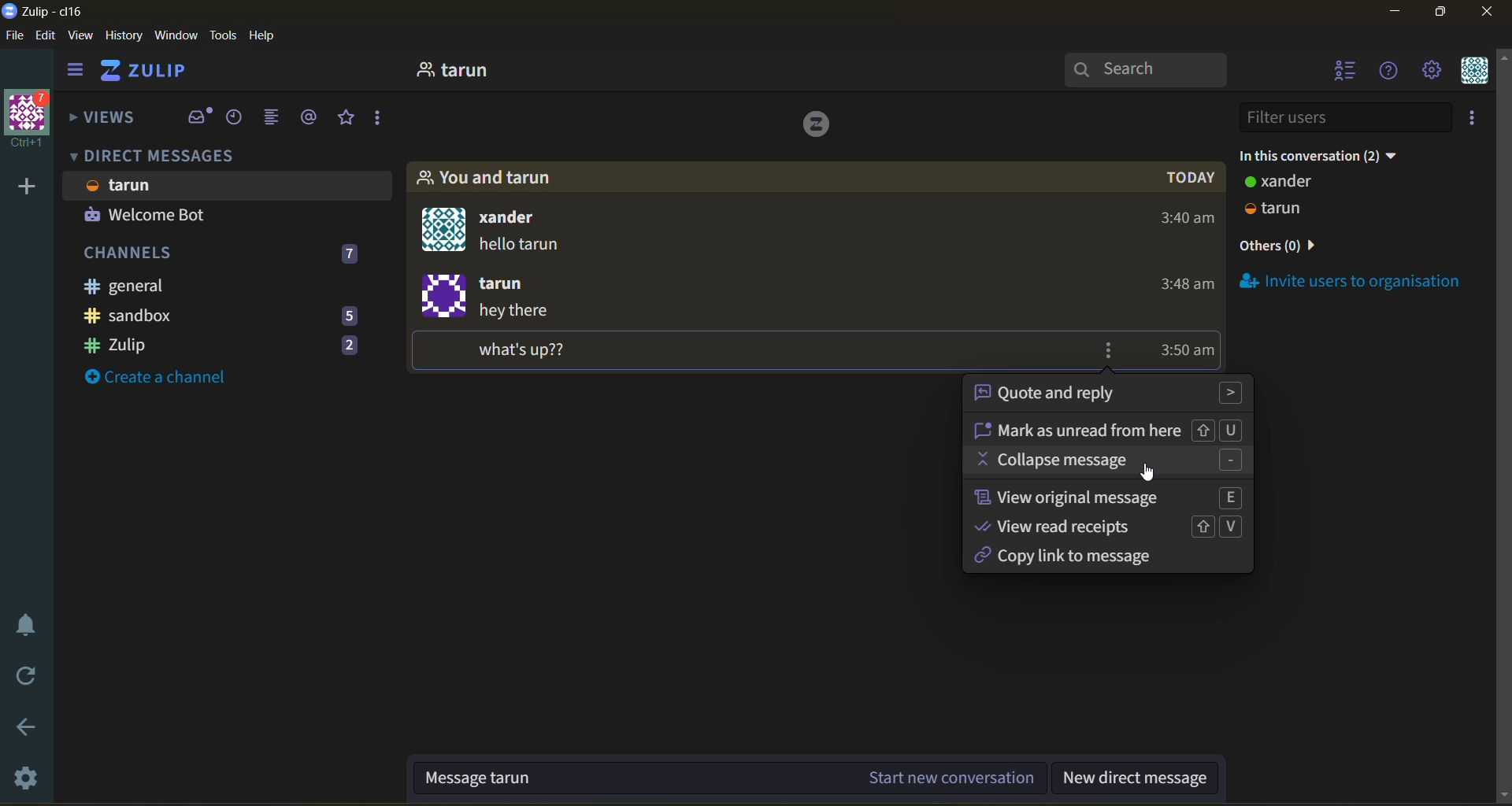  I want to click on people in conversation, so click(487, 178).